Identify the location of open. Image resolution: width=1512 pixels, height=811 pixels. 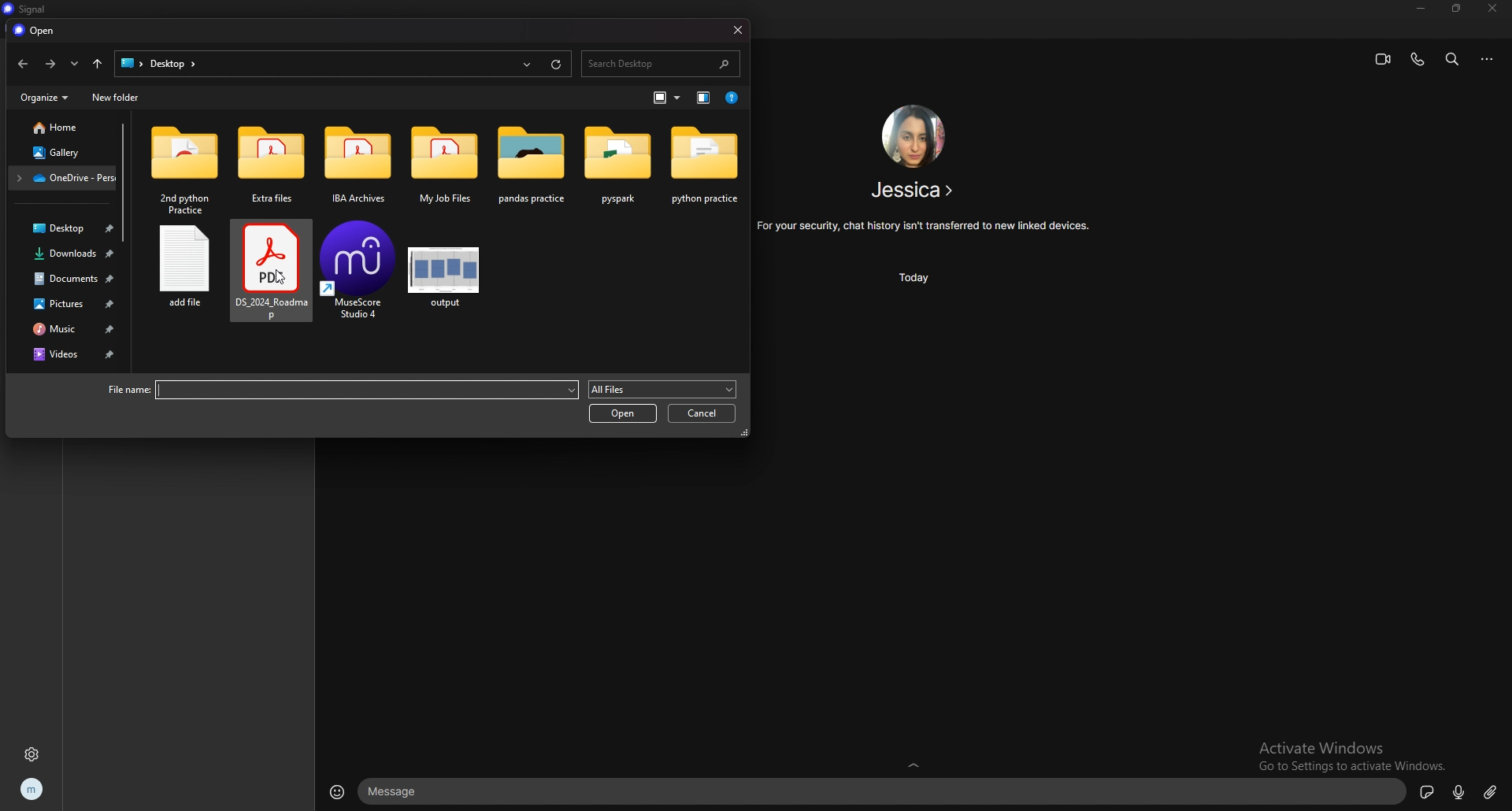
(624, 412).